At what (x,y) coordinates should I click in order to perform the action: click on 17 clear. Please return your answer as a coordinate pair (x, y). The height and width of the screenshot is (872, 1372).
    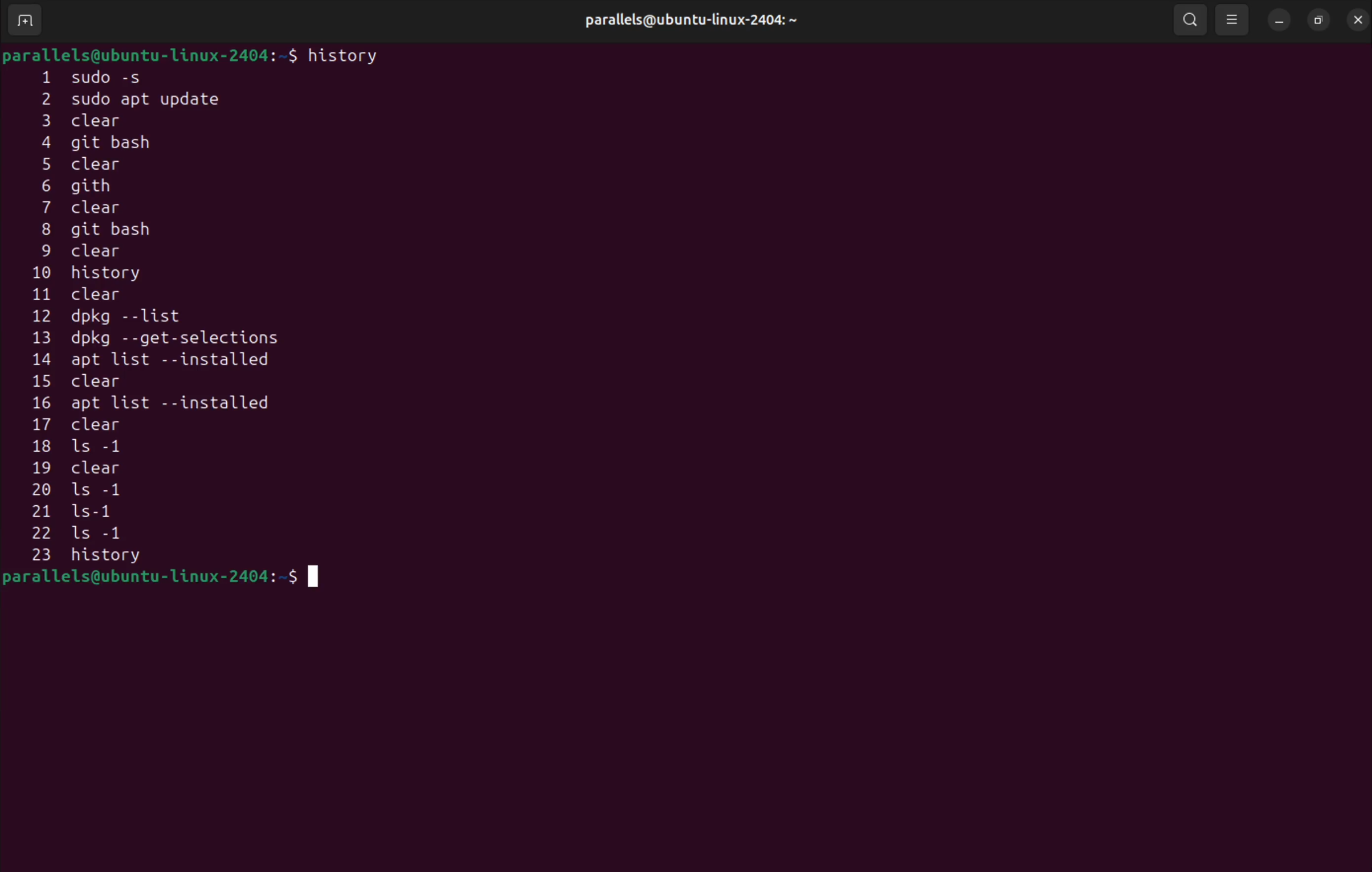
    Looking at the image, I should click on (89, 427).